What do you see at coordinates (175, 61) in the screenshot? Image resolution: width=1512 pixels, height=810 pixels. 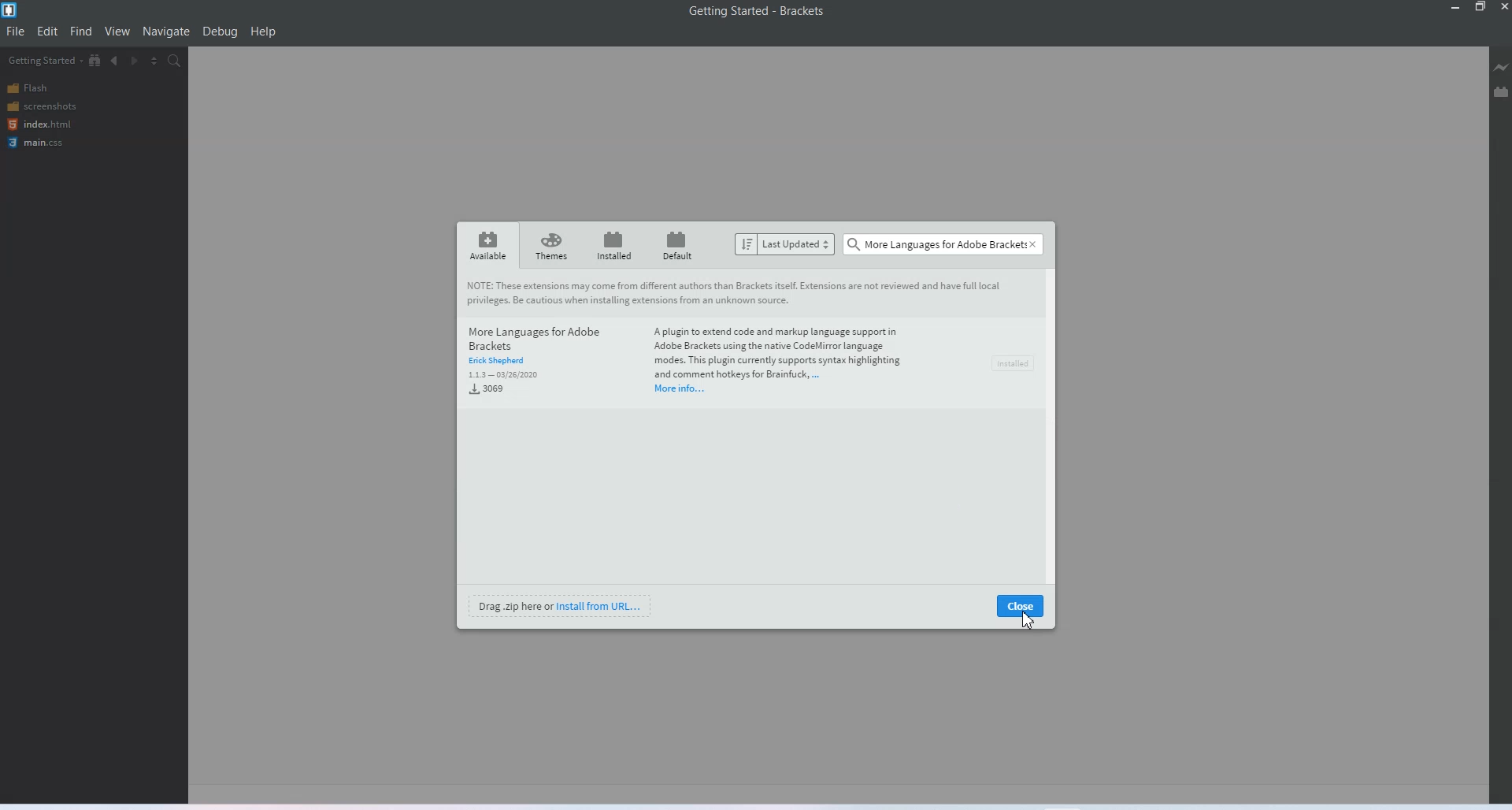 I see `Find in files` at bounding box center [175, 61].